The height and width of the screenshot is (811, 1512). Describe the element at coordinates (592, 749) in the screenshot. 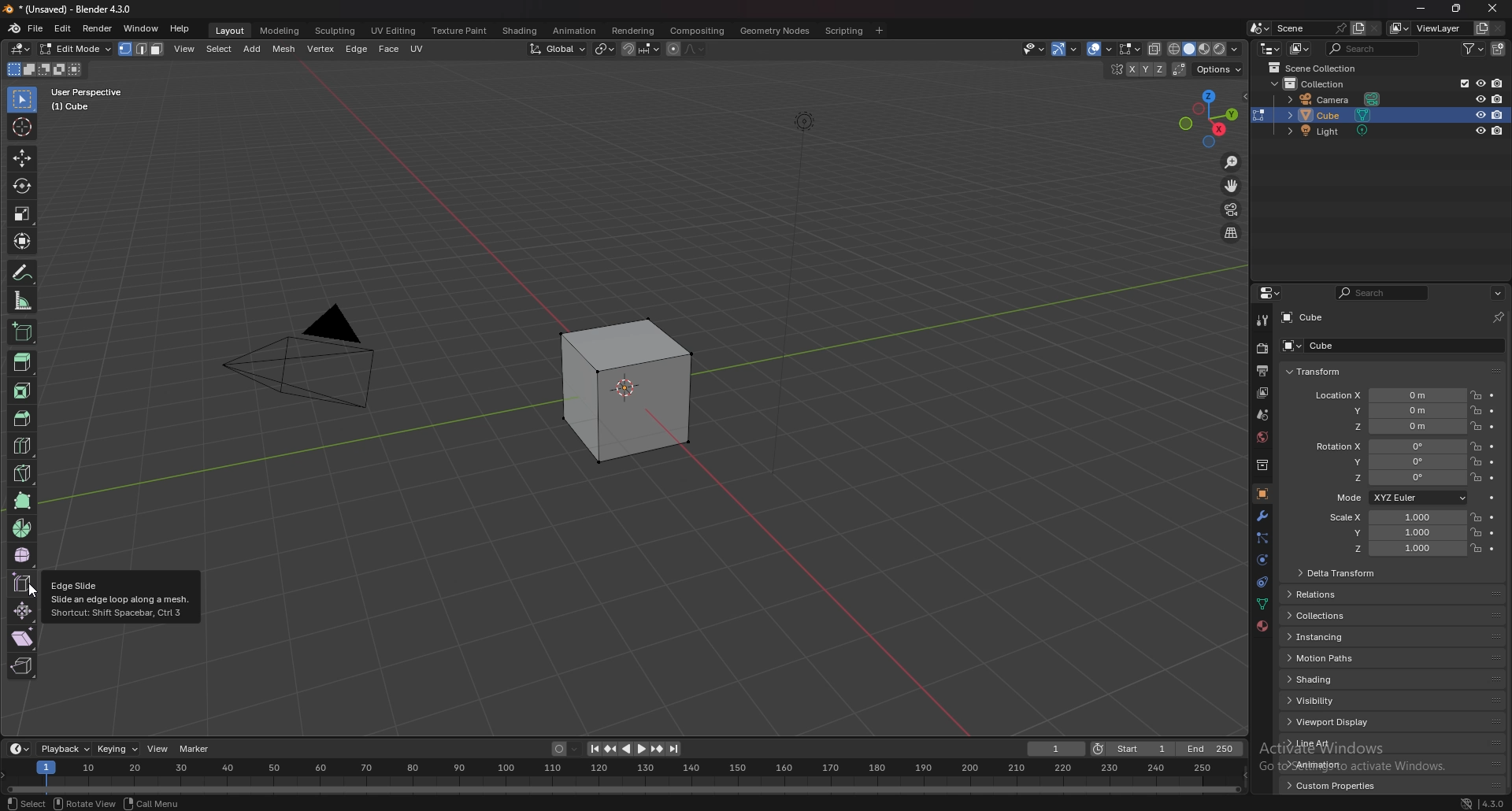

I see `jump to endpoint` at that location.